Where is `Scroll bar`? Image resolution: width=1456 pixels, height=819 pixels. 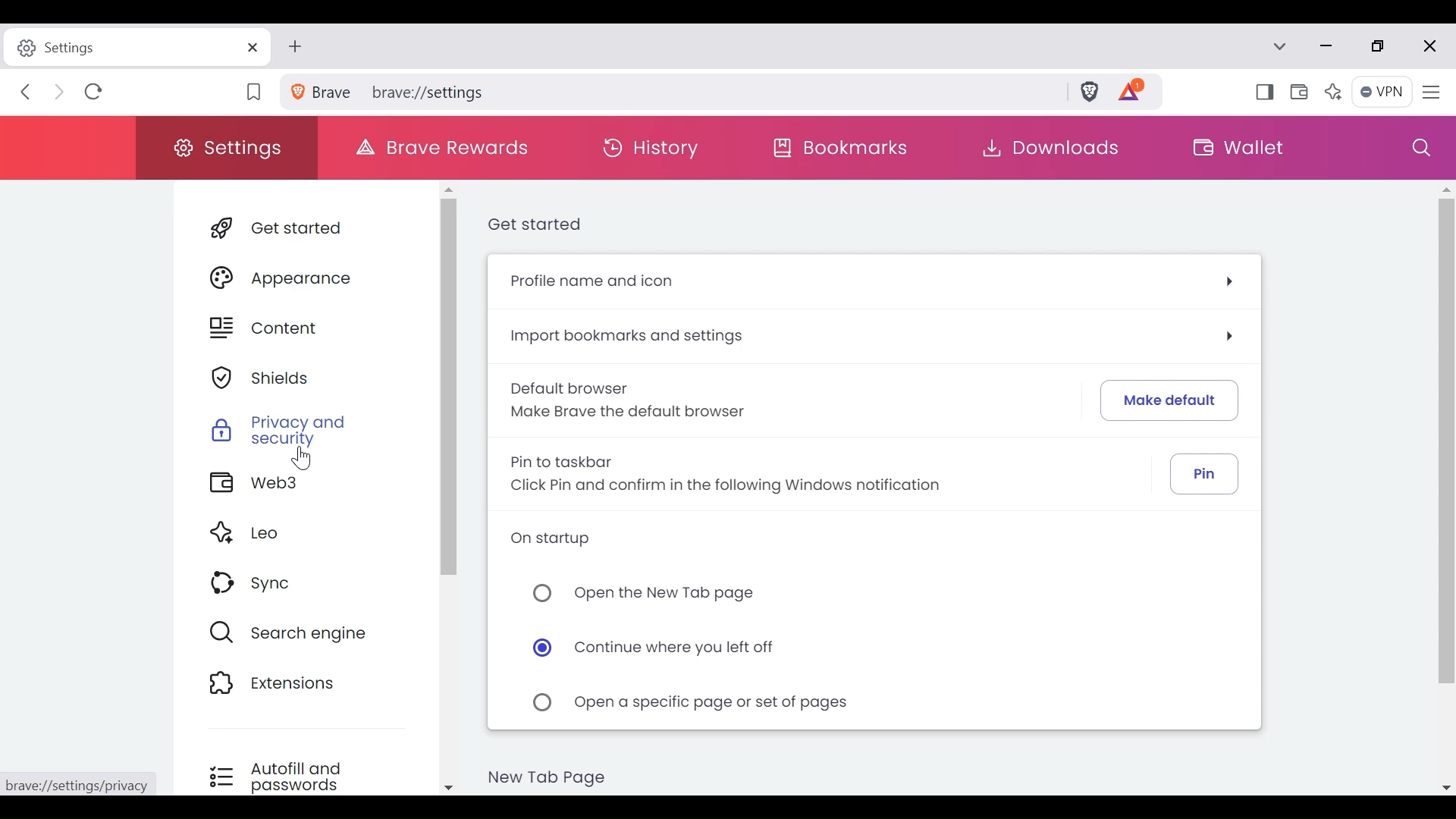
Scroll bar is located at coordinates (1446, 441).